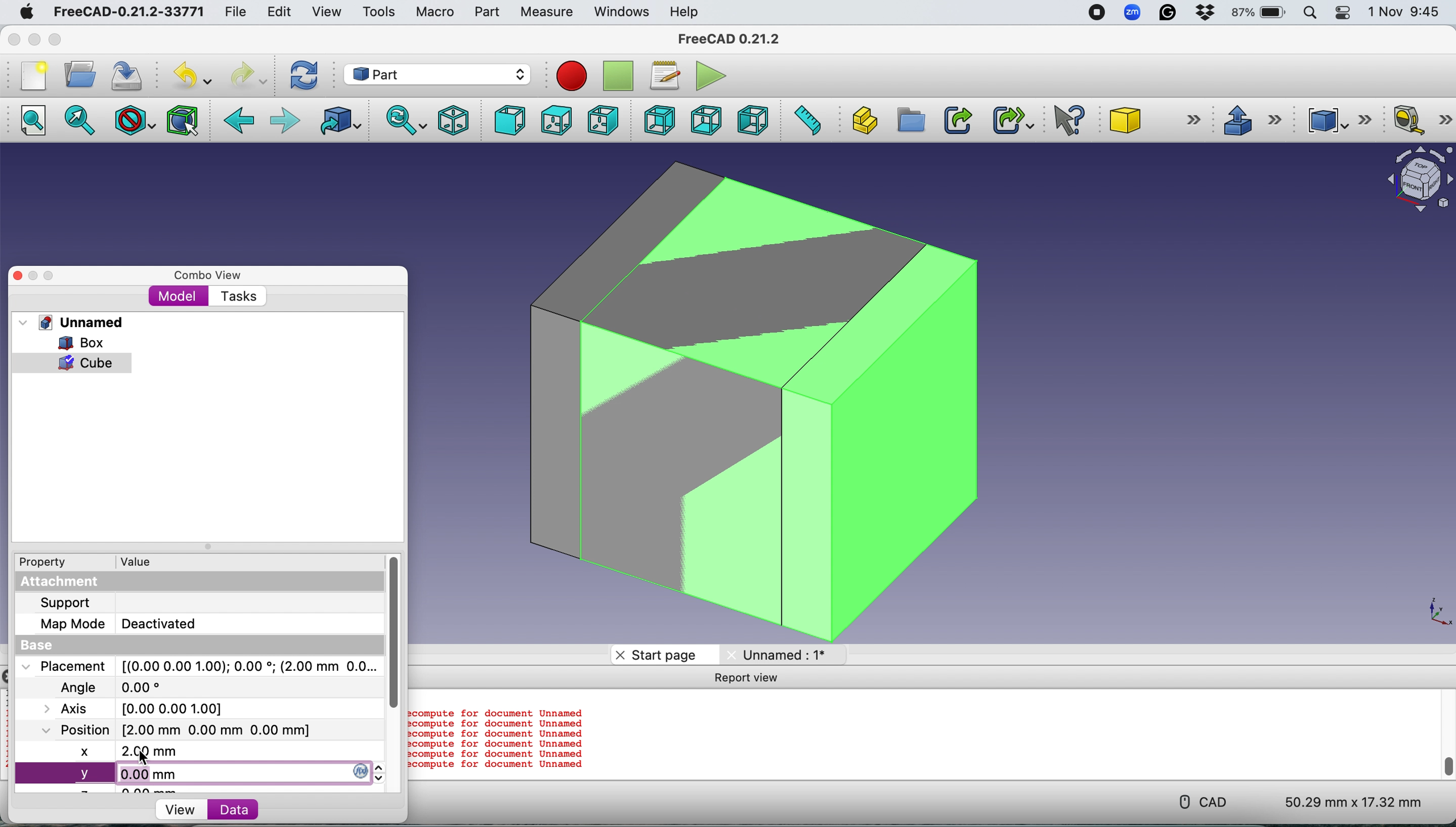  I want to click on Top, so click(555, 121).